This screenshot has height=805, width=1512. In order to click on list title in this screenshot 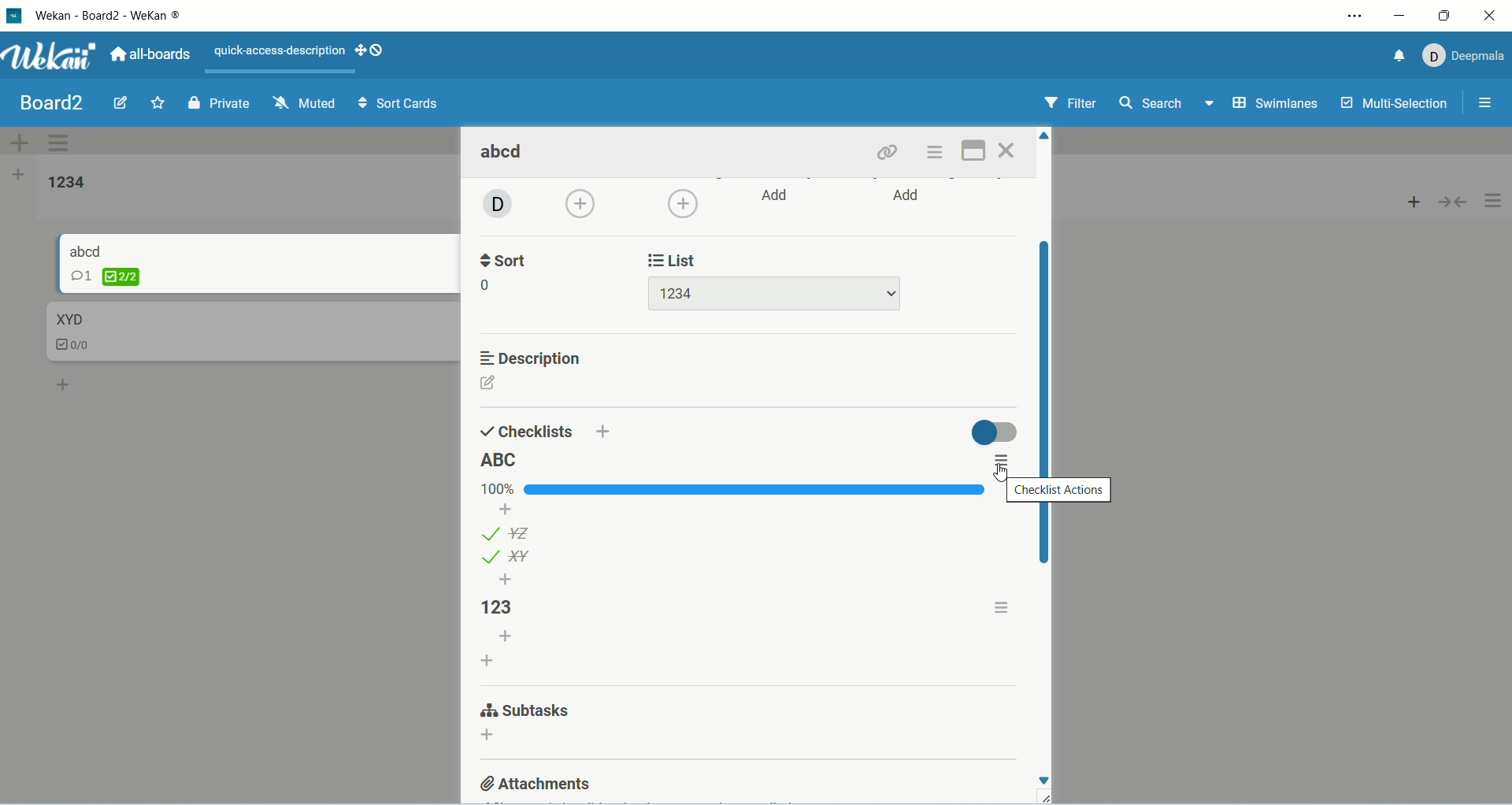, I will do `click(69, 183)`.